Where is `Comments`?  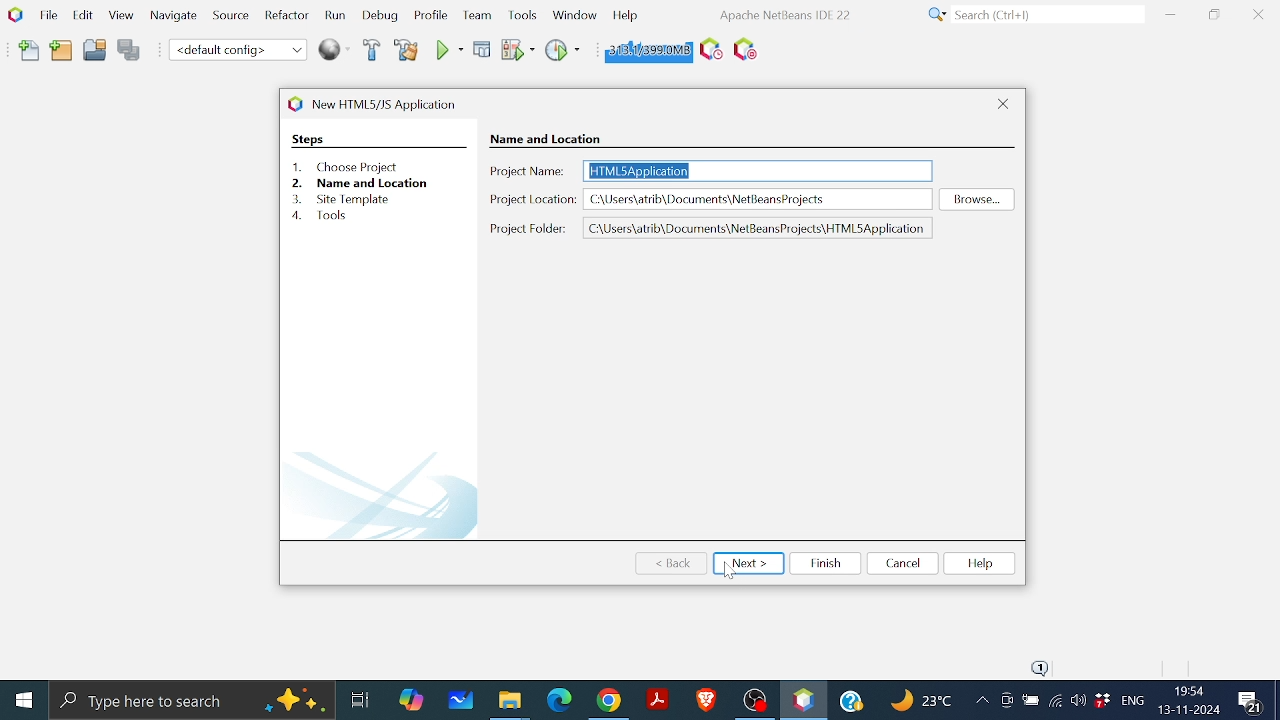
Comments is located at coordinates (1253, 702).